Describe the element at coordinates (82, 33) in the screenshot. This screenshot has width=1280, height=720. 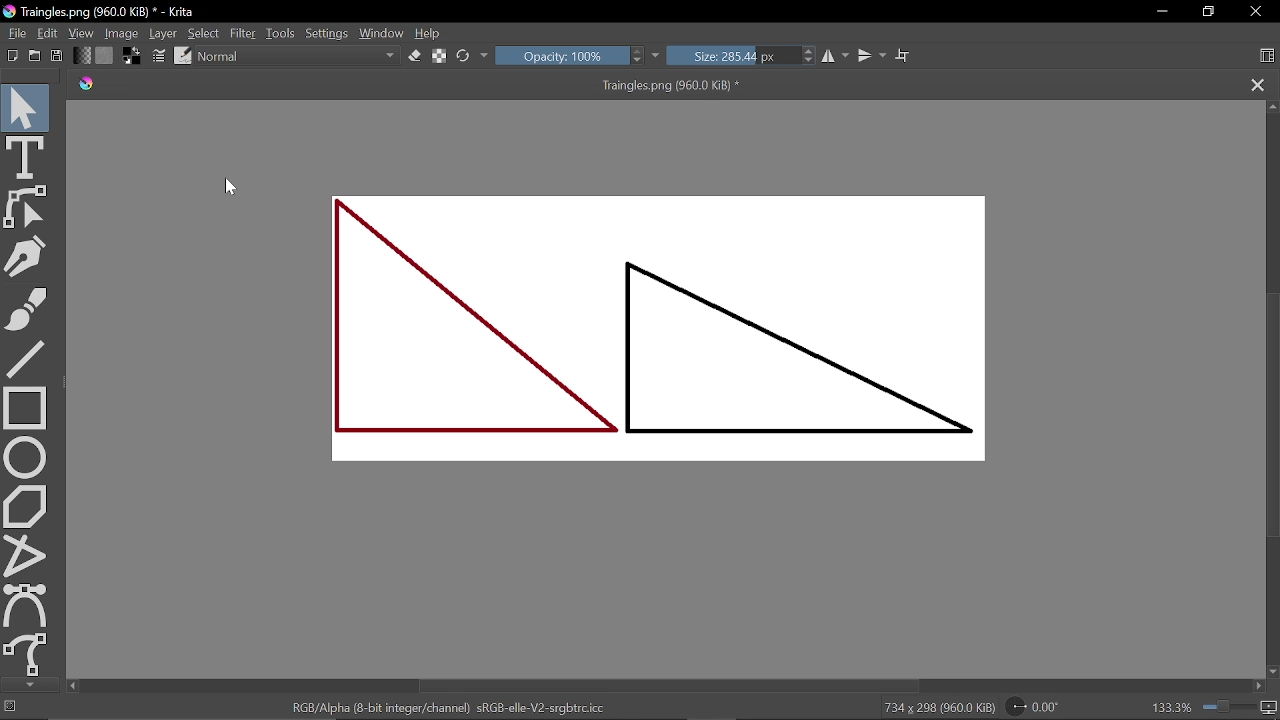
I see `View` at that location.